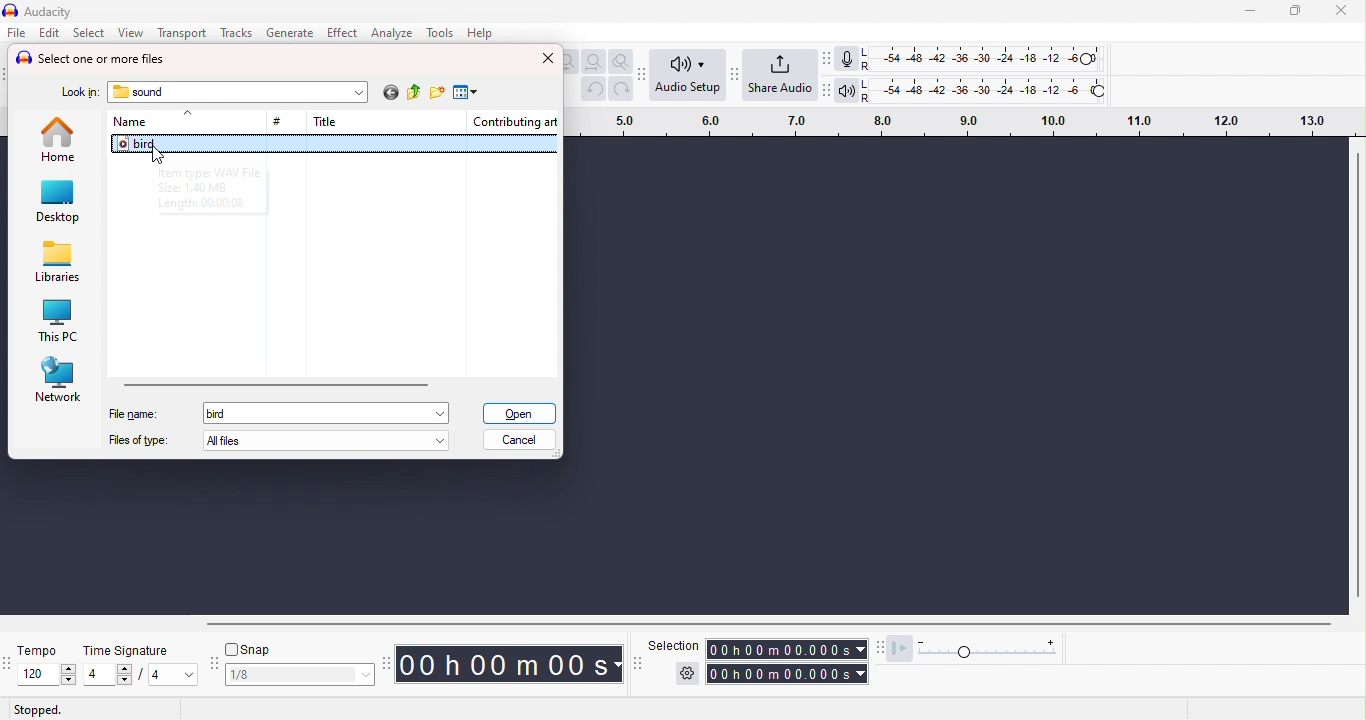 Image resolution: width=1366 pixels, height=720 pixels. What do you see at coordinates (43, 12) in the screenshot?
I see `title` at bounding box center [43, 12].